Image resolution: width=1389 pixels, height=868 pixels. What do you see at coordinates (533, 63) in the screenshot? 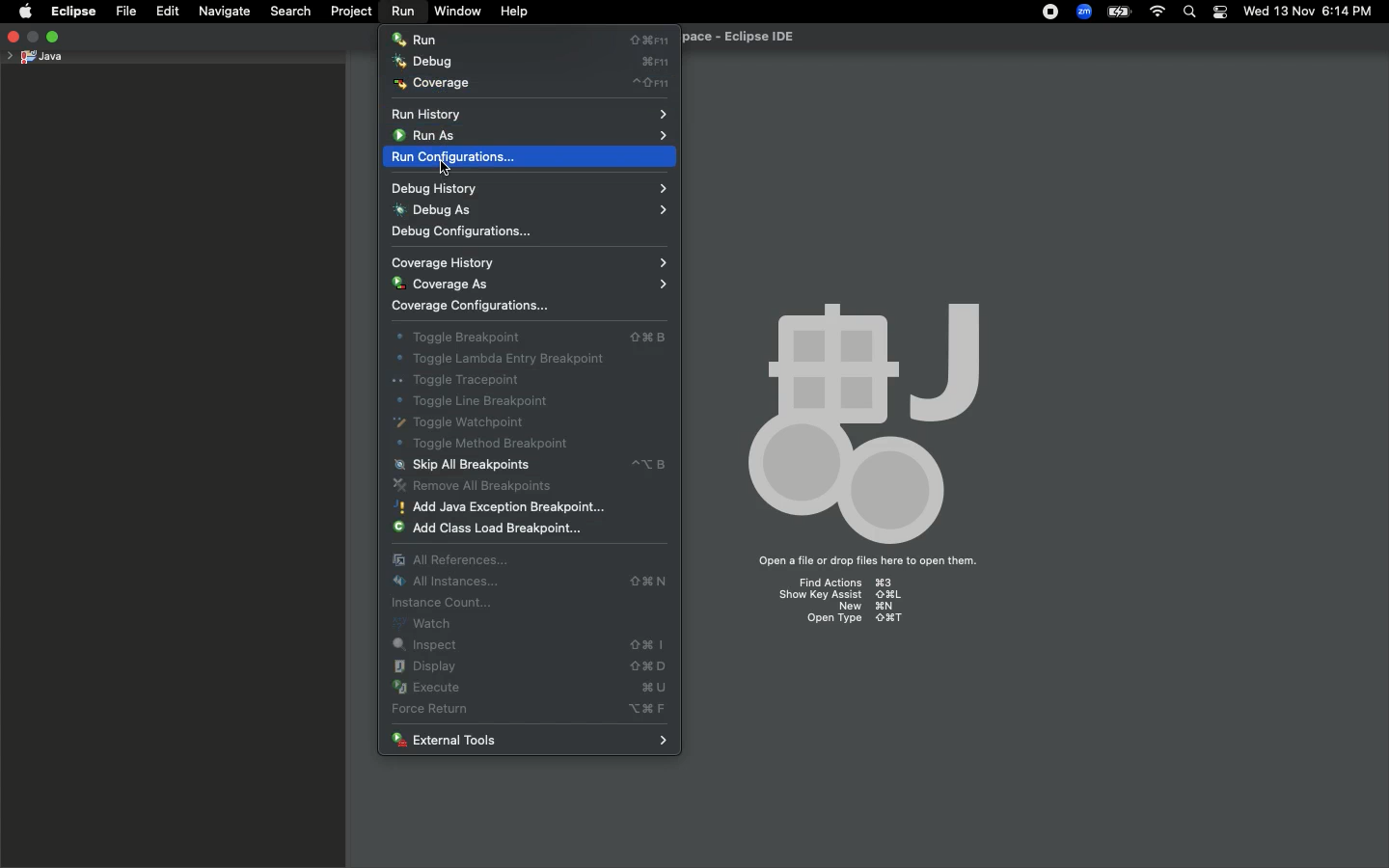
I see `Debug` at bounding box center [533, 63].